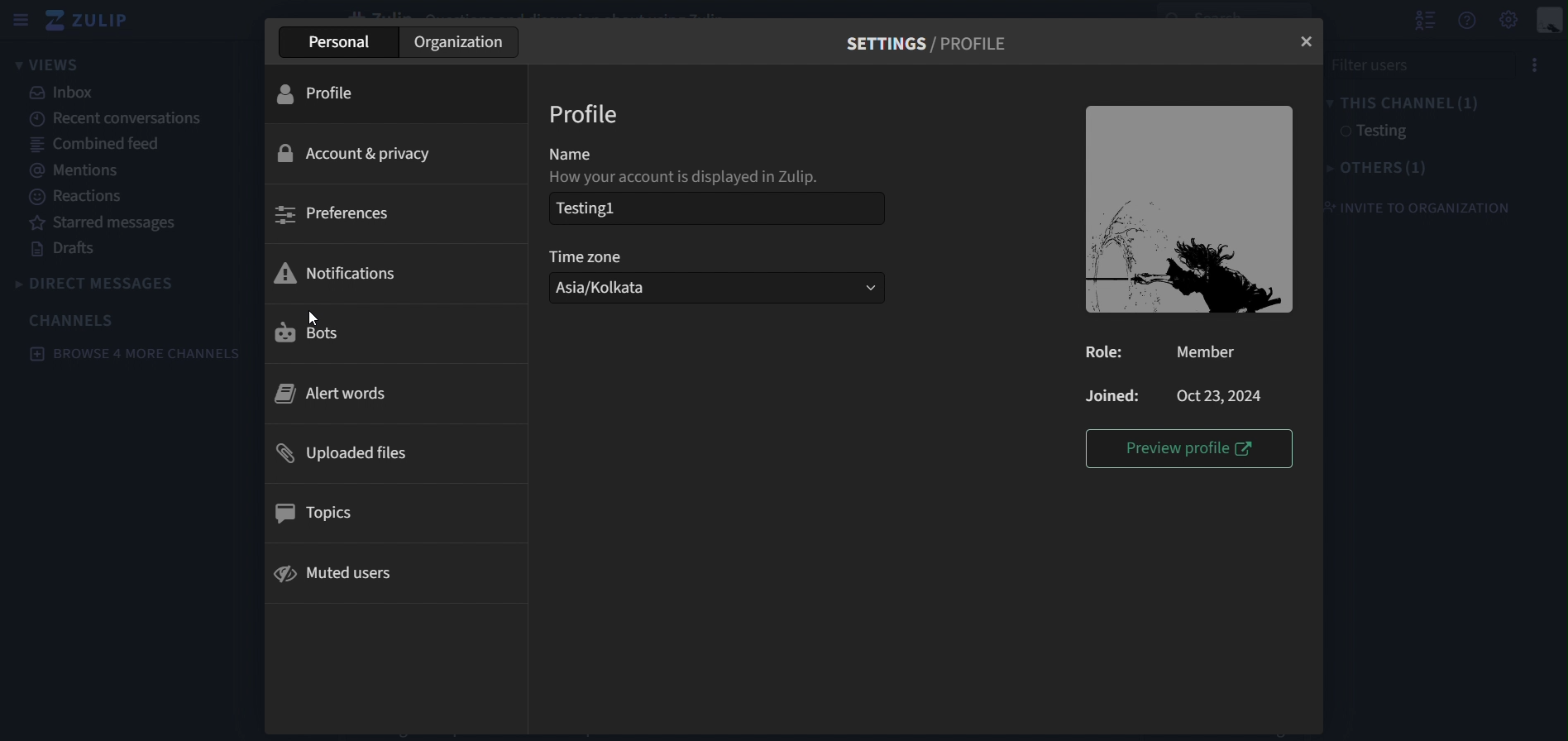 This screenshot has height=741, width=1568. I want to click on zulip, so click(95, 22).